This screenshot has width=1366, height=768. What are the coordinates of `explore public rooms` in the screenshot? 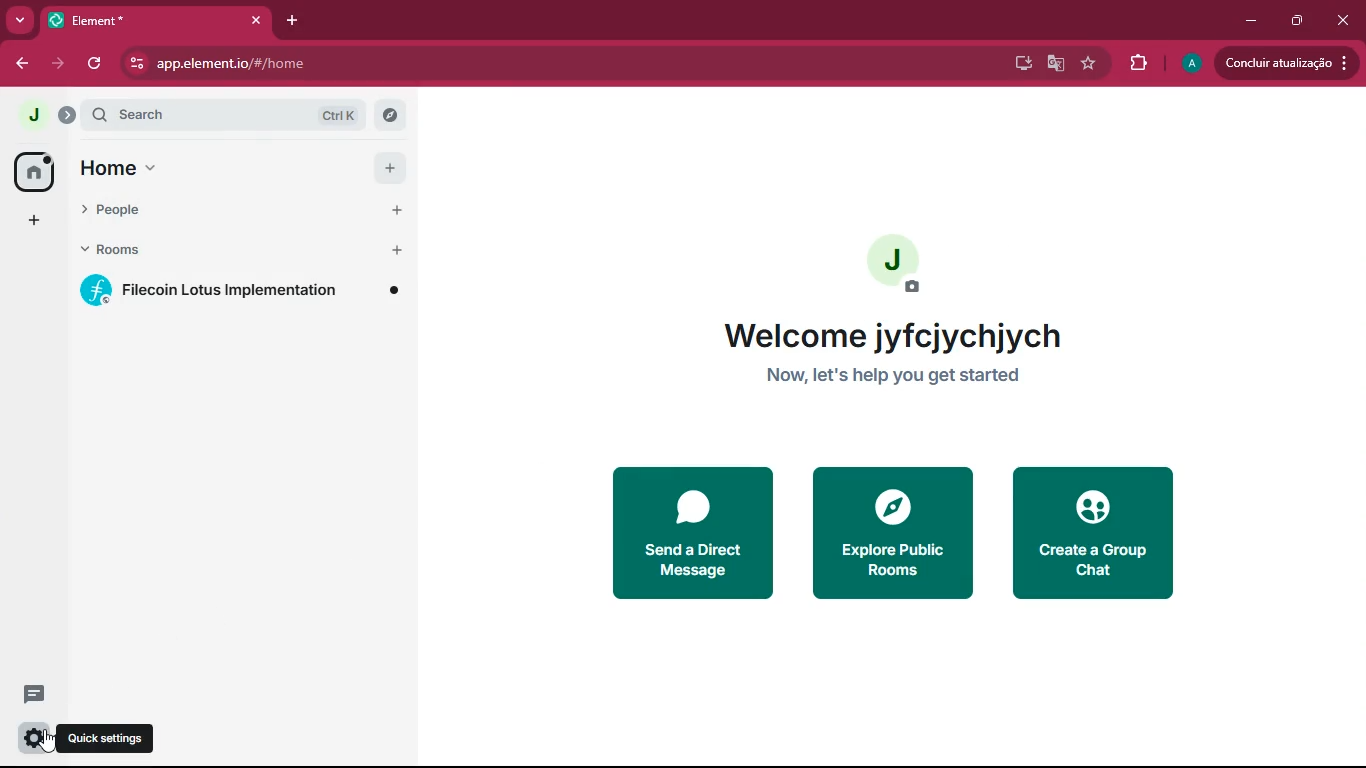 It's located at (893, 531).